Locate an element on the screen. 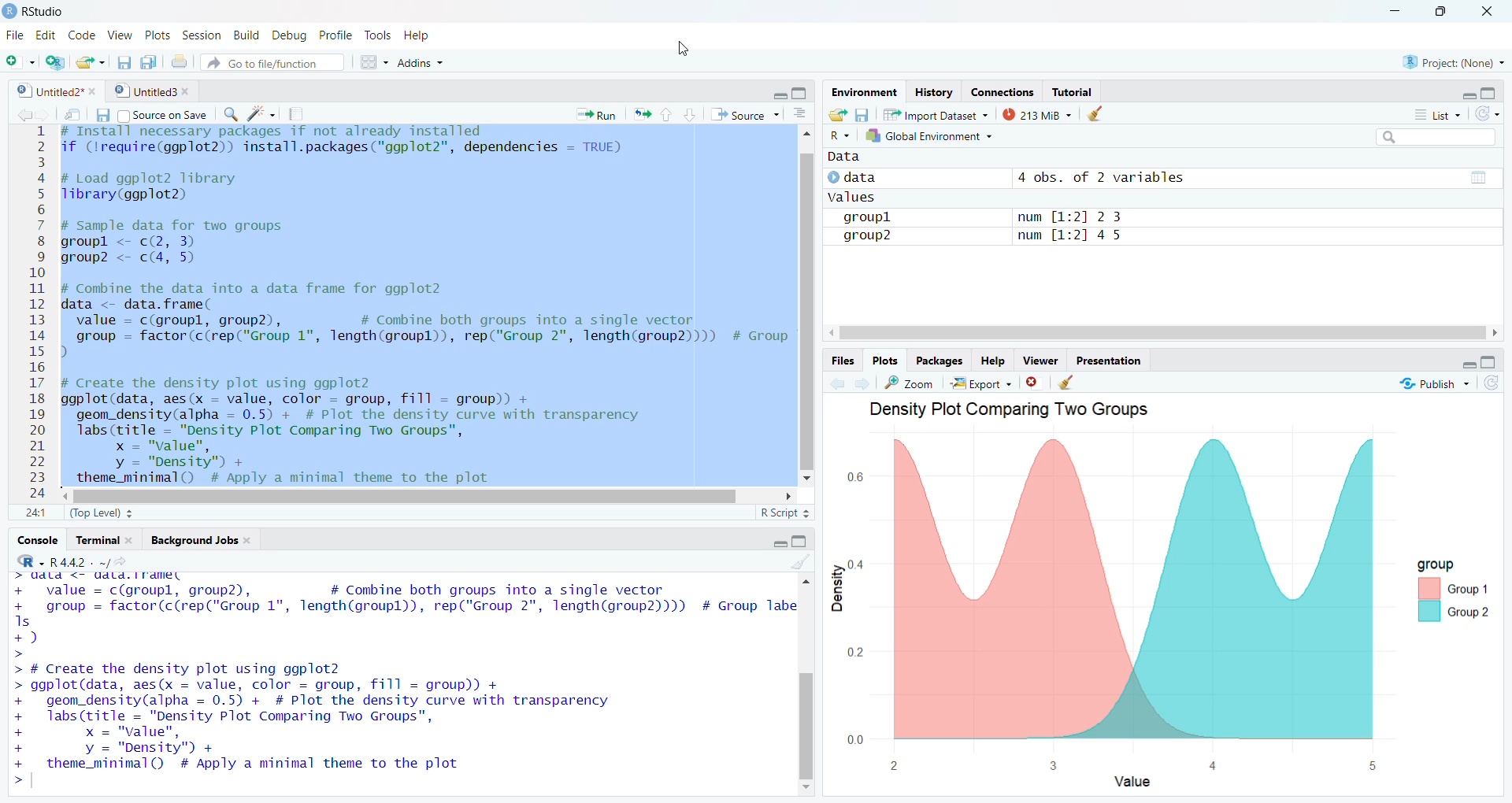 The image size is (1512, 803). num [1:2] 2 3 is located at coordinates (1068, 214).